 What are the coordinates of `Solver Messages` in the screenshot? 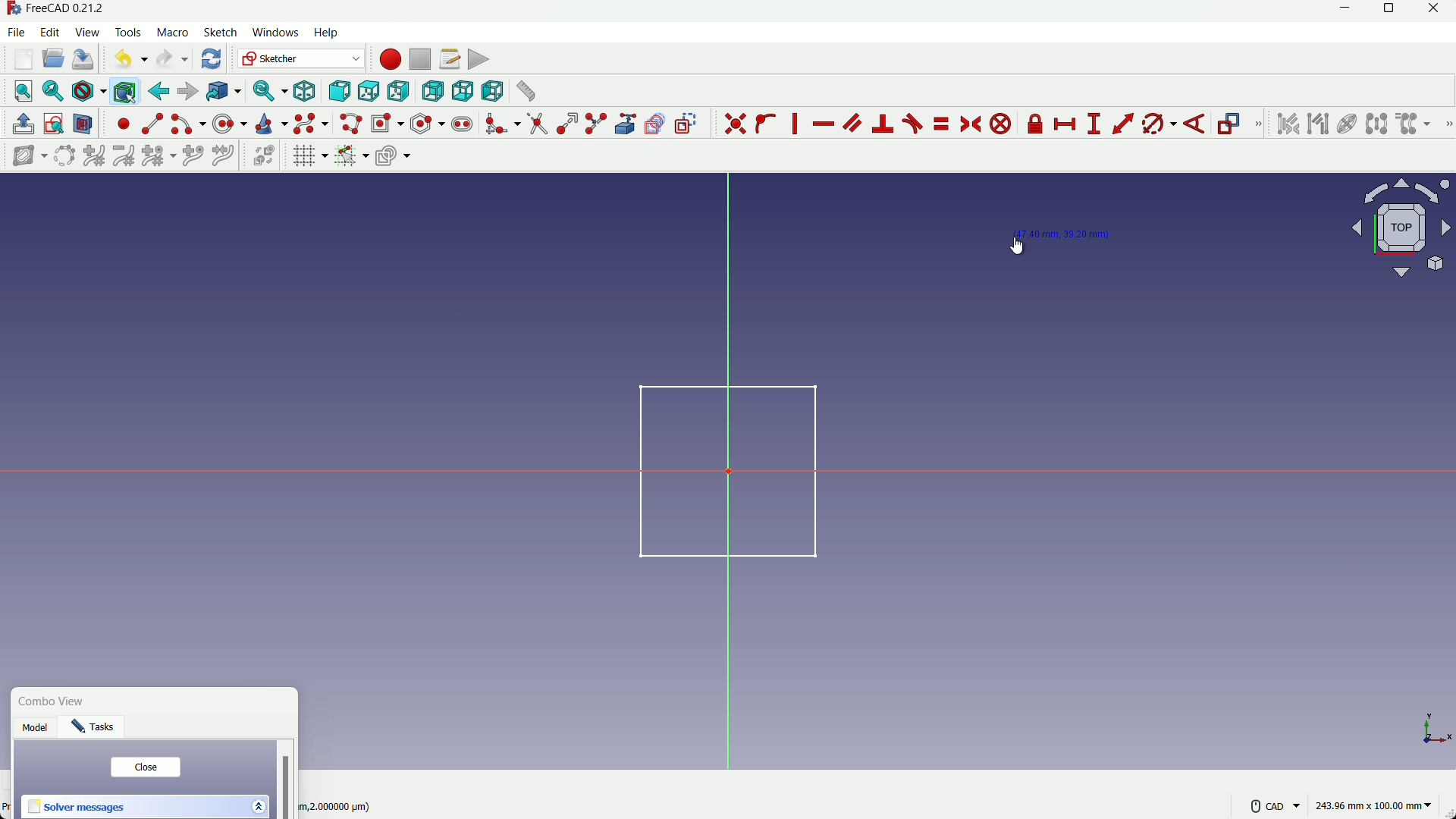 It's located at (77, 808).